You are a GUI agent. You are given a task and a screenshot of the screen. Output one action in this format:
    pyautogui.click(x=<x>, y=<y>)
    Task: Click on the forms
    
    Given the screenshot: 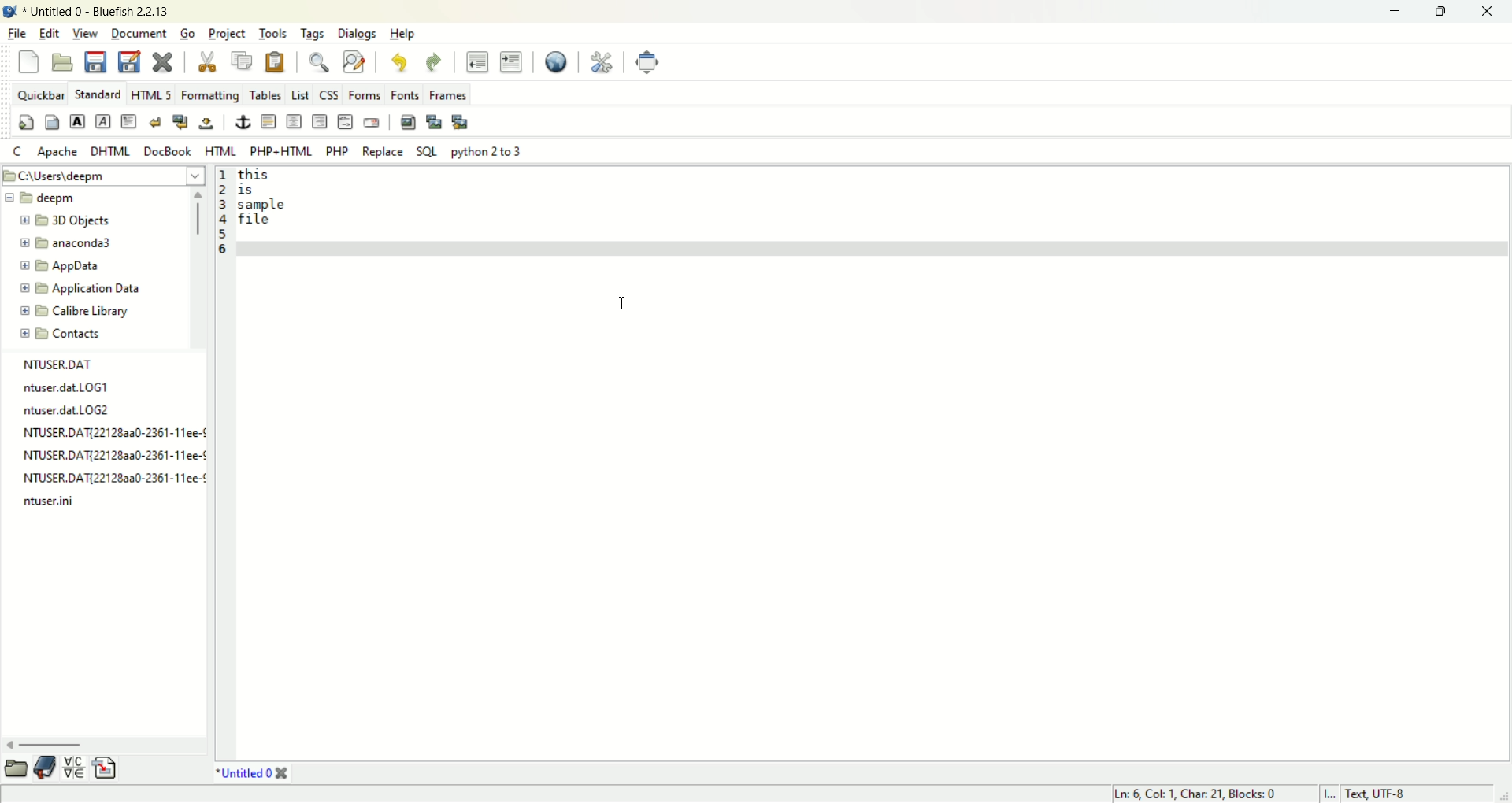 What is the action you would take?
    pyautogui.click(x=365, y=94)
    